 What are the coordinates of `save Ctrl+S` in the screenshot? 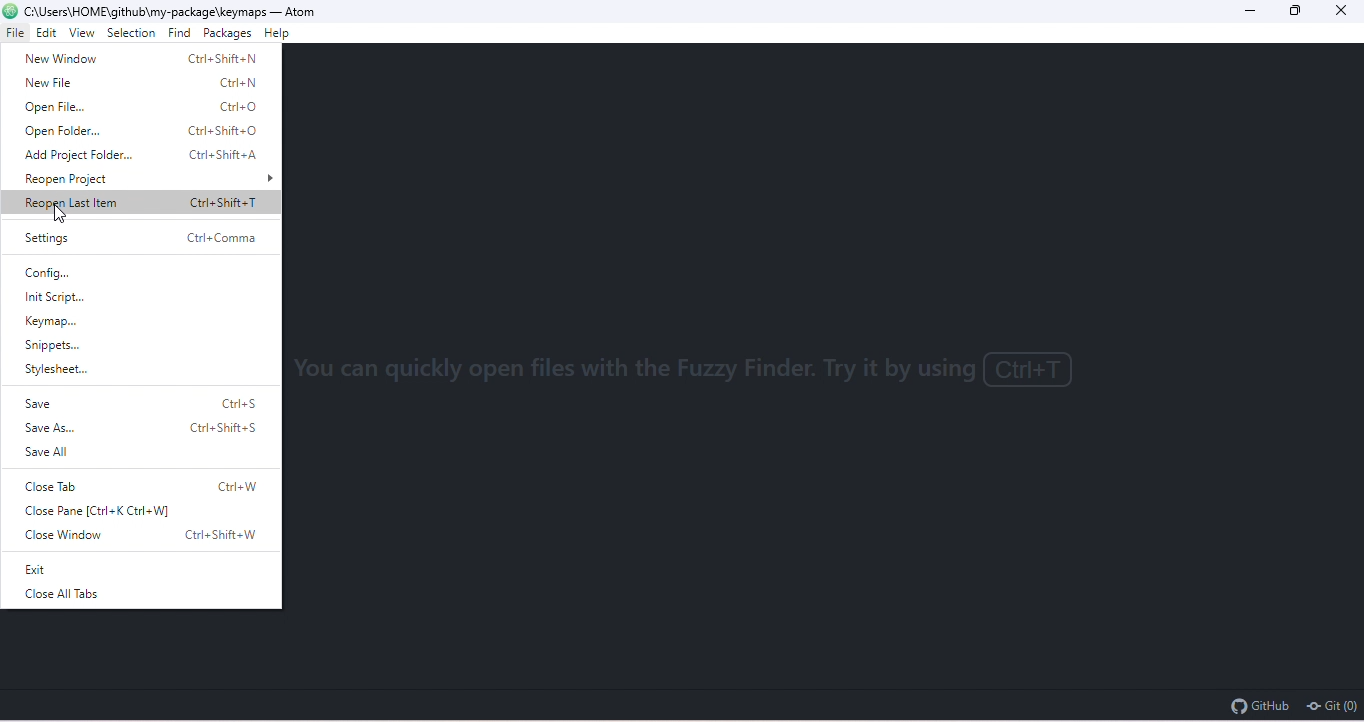 It's located at (134, 402).